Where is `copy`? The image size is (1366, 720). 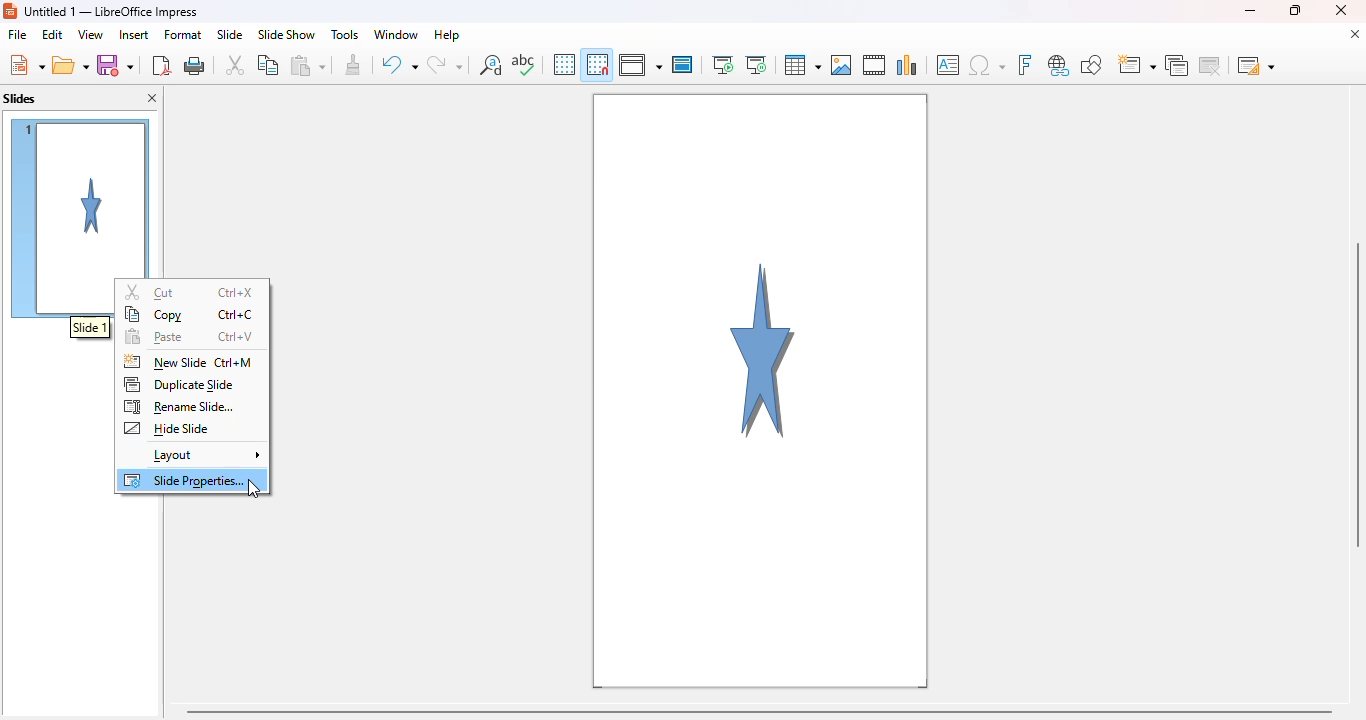 copy is located at coordinates (155, 315).